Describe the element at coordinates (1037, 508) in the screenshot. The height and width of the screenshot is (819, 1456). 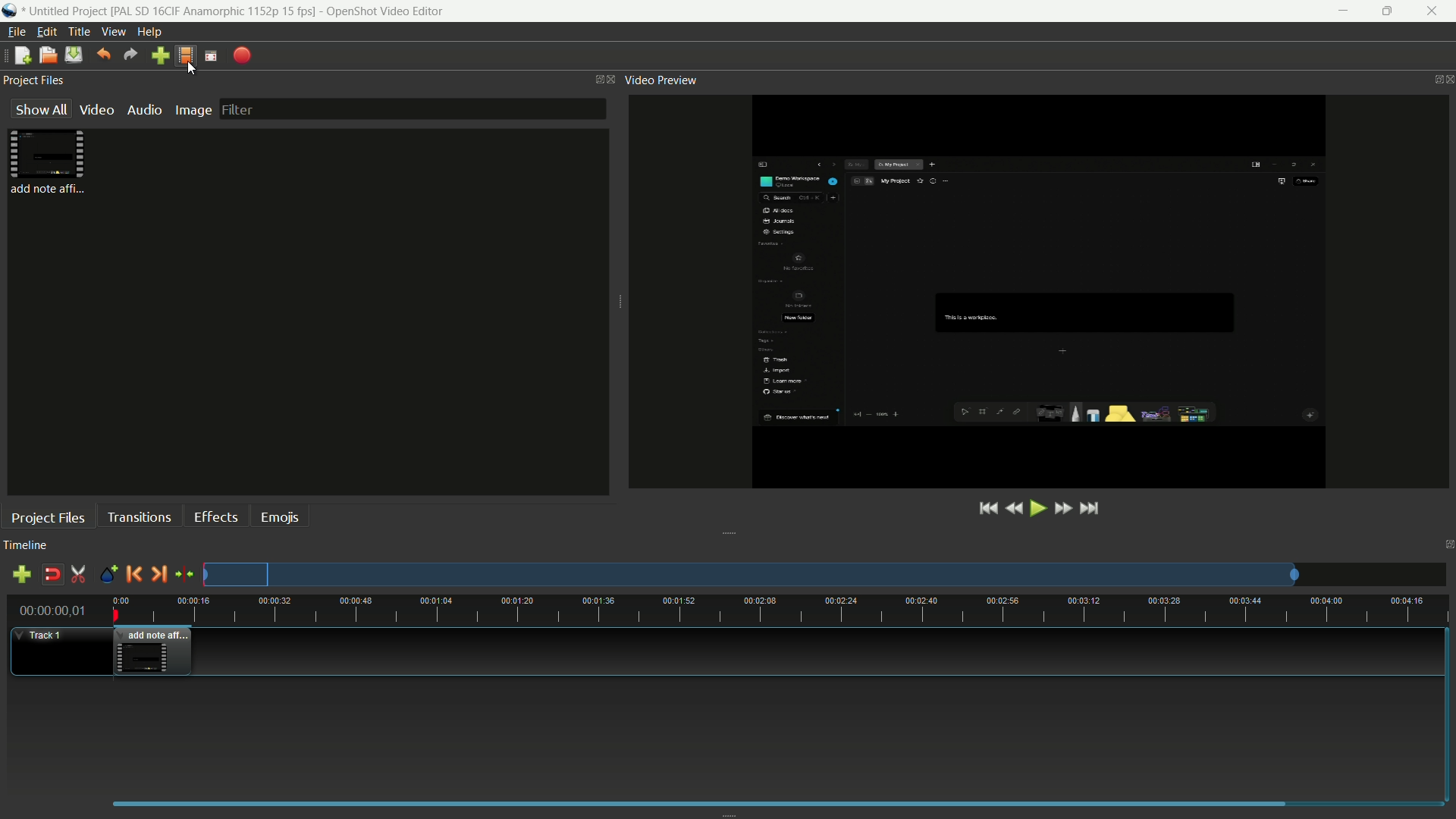
I see `play or pause` at that location.